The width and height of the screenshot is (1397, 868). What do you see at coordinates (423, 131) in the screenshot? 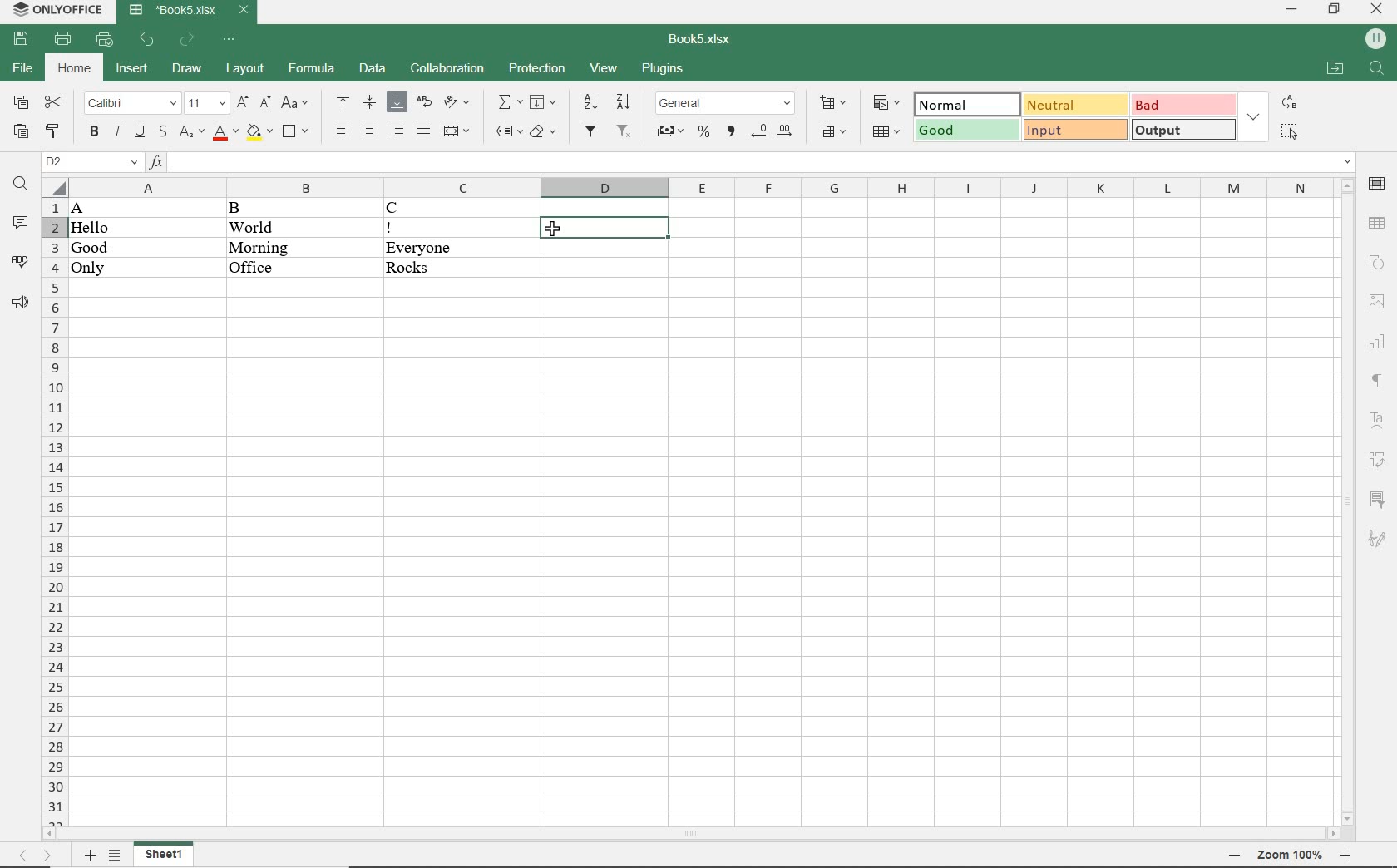
I see `justified` at bounding box center [423, 131].